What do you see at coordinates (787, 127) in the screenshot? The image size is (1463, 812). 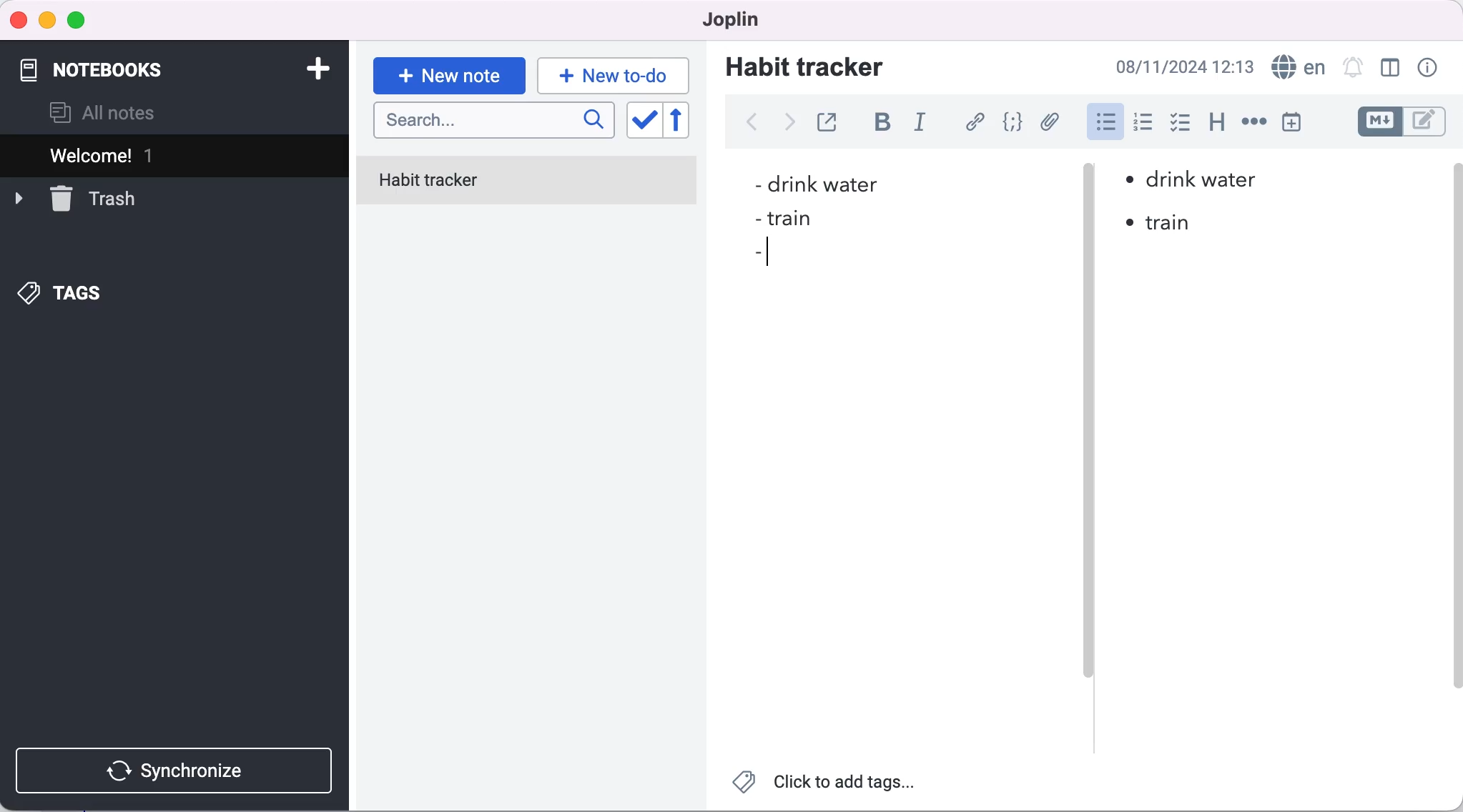 I see `forward` at bounding box center [787, 127].